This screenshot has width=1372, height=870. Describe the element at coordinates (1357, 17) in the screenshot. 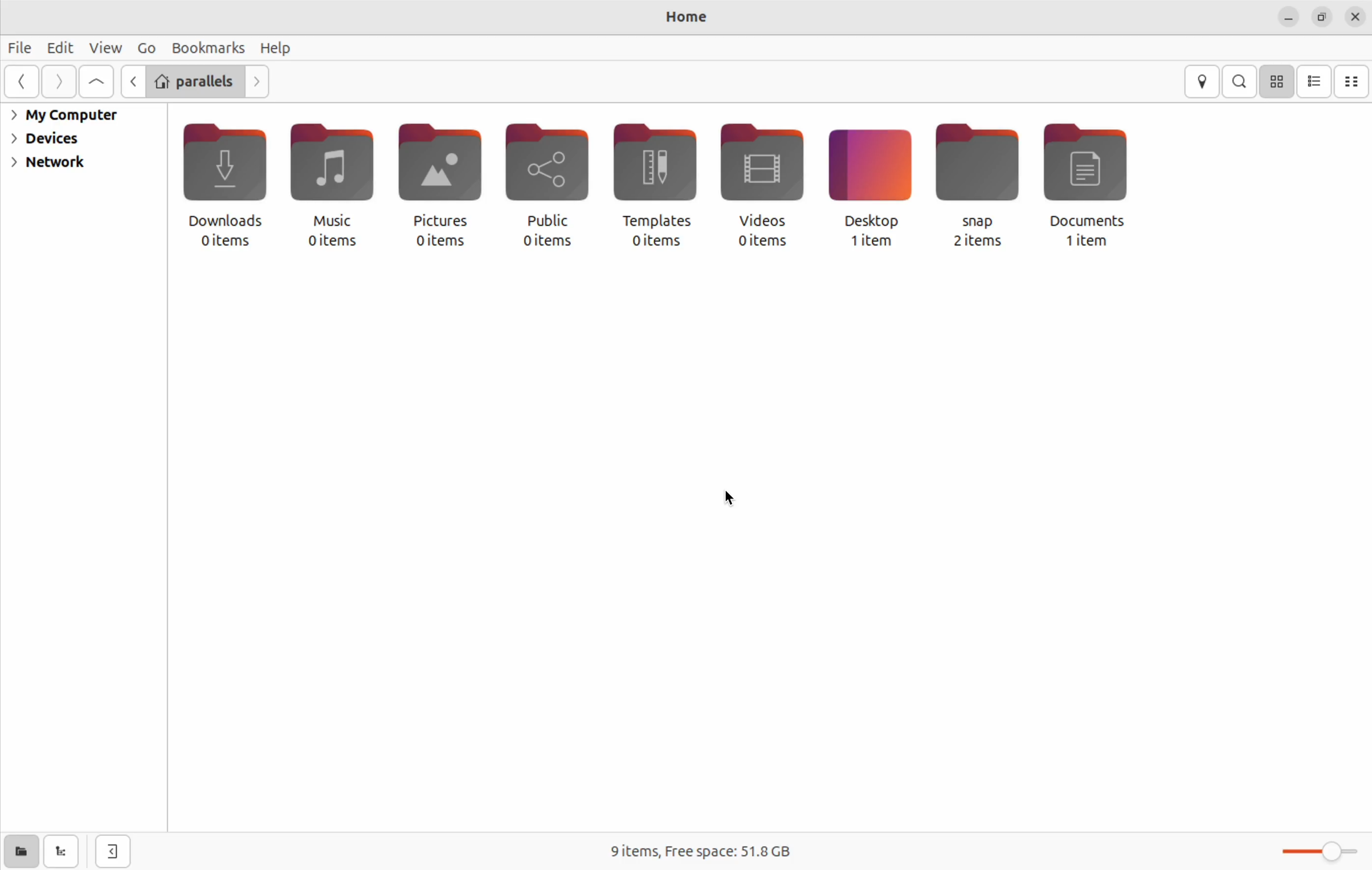

I see `close` at that location.